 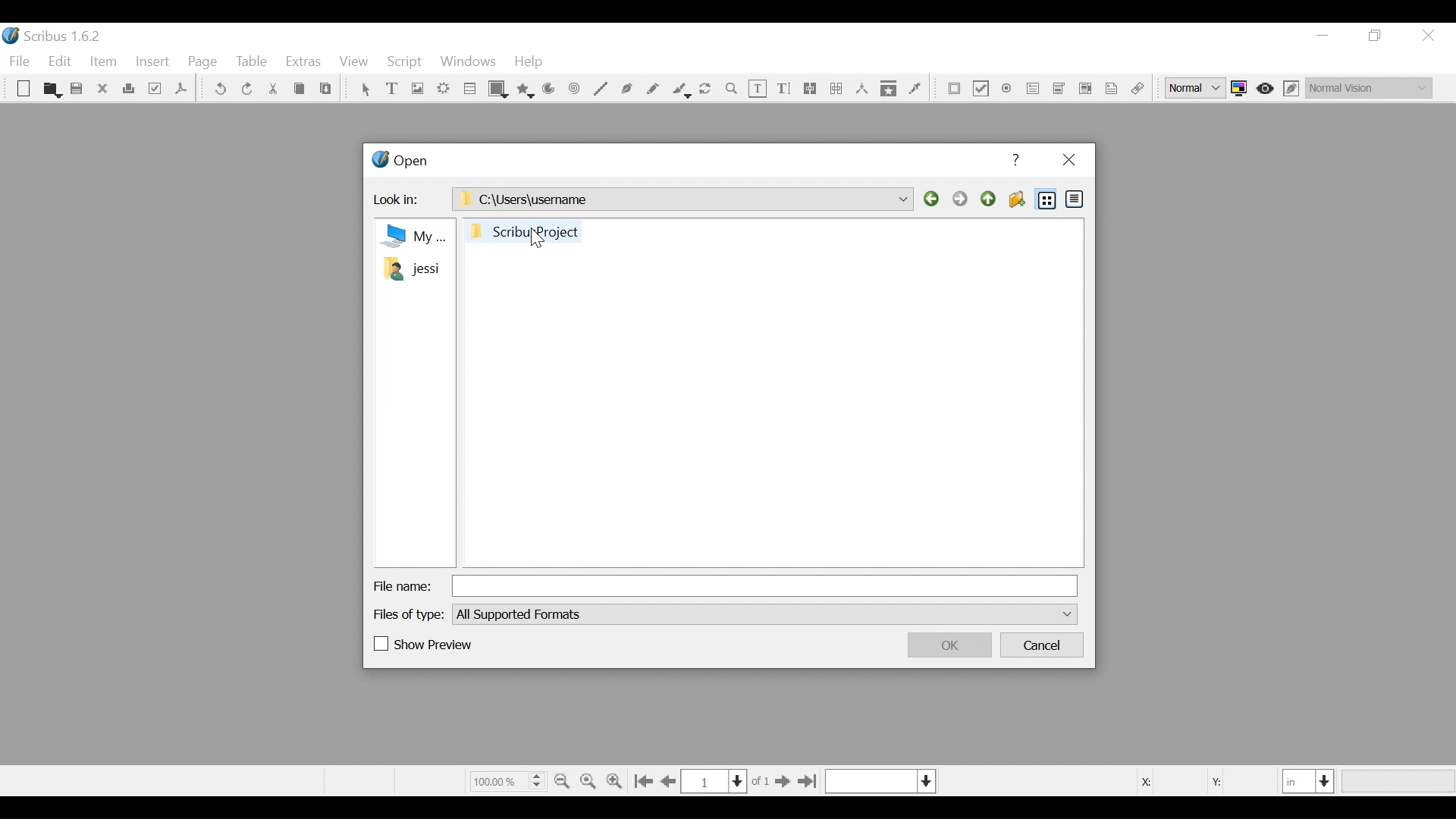 I want to click on Forward, so click(x=962, y=199).